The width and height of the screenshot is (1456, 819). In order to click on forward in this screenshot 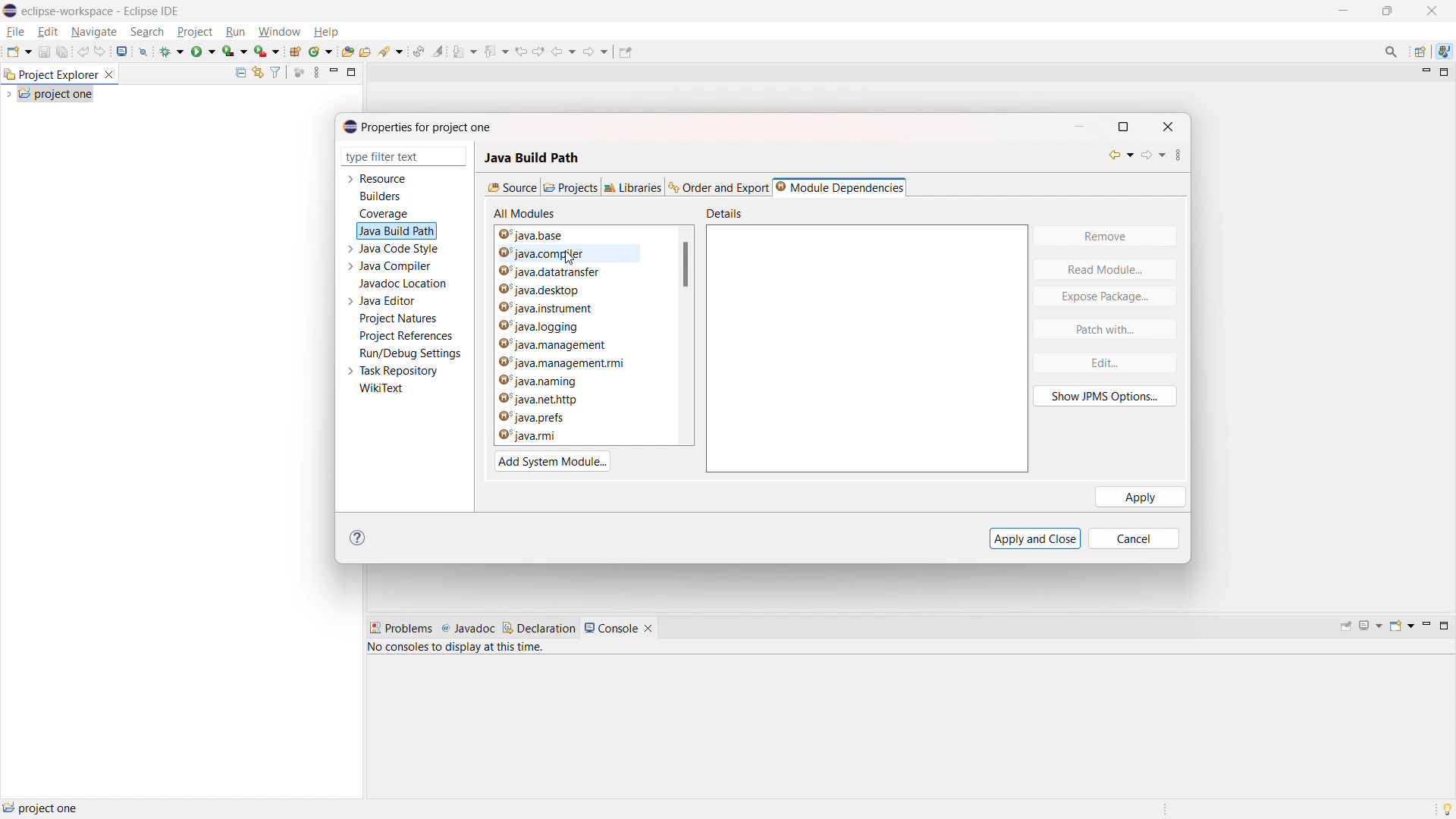, I will do `click(1154, 157)`.